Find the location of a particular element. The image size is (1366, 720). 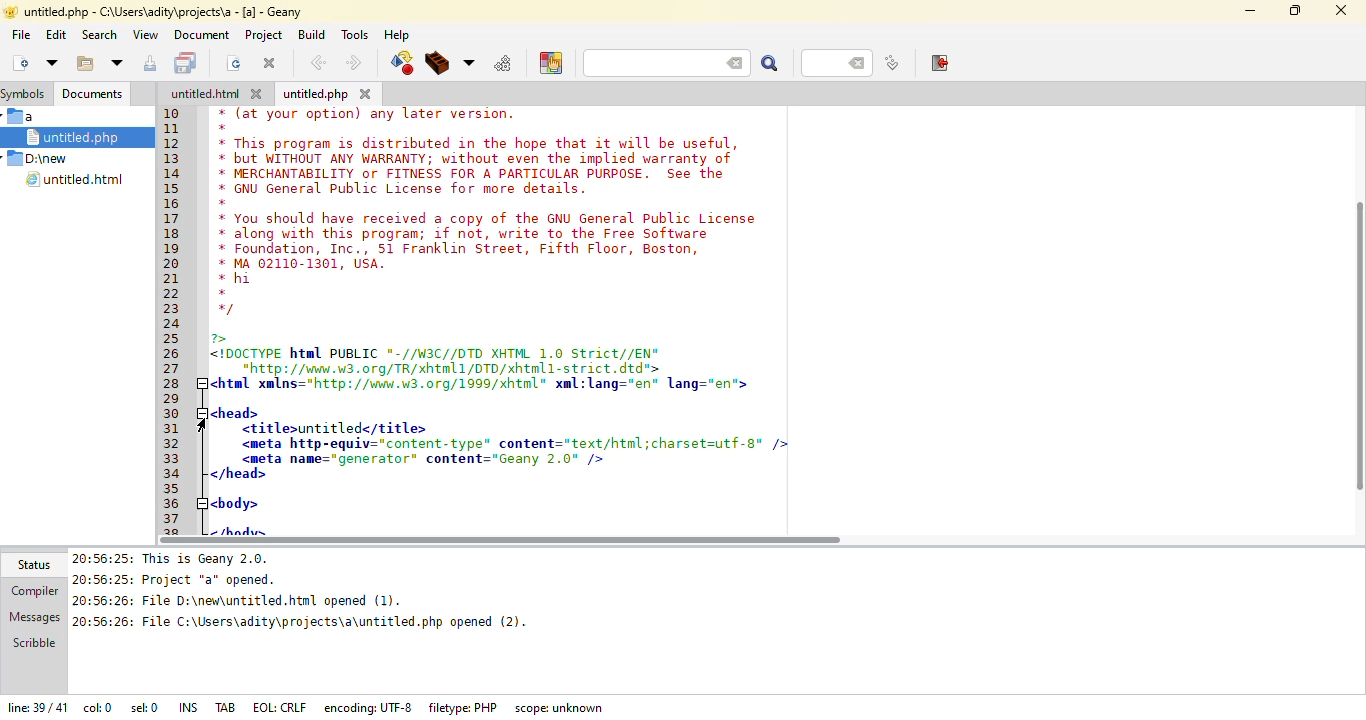

* (at your option) any later version.* This program is distributed in the hope that it will be useful* but WITHOUT ANY WARRANTY; without even the implied warranty of* MERCHANTABILITY or FITNESS FOR A PARTICULAR PURPOSE. See the* GNU General Public License for more details* You should have received a copy of the GNU General Public License* along with this program; if not, write fo the Free Software* Foundation, Inc., 51 Franklin Street, Fifth Floor, Boston* MA 62110-1361, USA.* hi/<IDOCTYPE html PUBLIC *-//W3C//DTD XHTML 1.0 Strict//EN"“http://wad.w3.org/TR/xhtnl1/DTD/xhtnl1-strict. dtd">htwl xmlns=*http://wne.u3.0rg/1998/xhtnl* xml:lang="en* lang="en‘>chead><titlesuntitlede/titles<meta http-equiv="content-type* content="text/htnl;charset=utf-g* /»<meta name="generator” content="Geany 2.0" /></head>body> <body> is located at coordinates (505, 320).